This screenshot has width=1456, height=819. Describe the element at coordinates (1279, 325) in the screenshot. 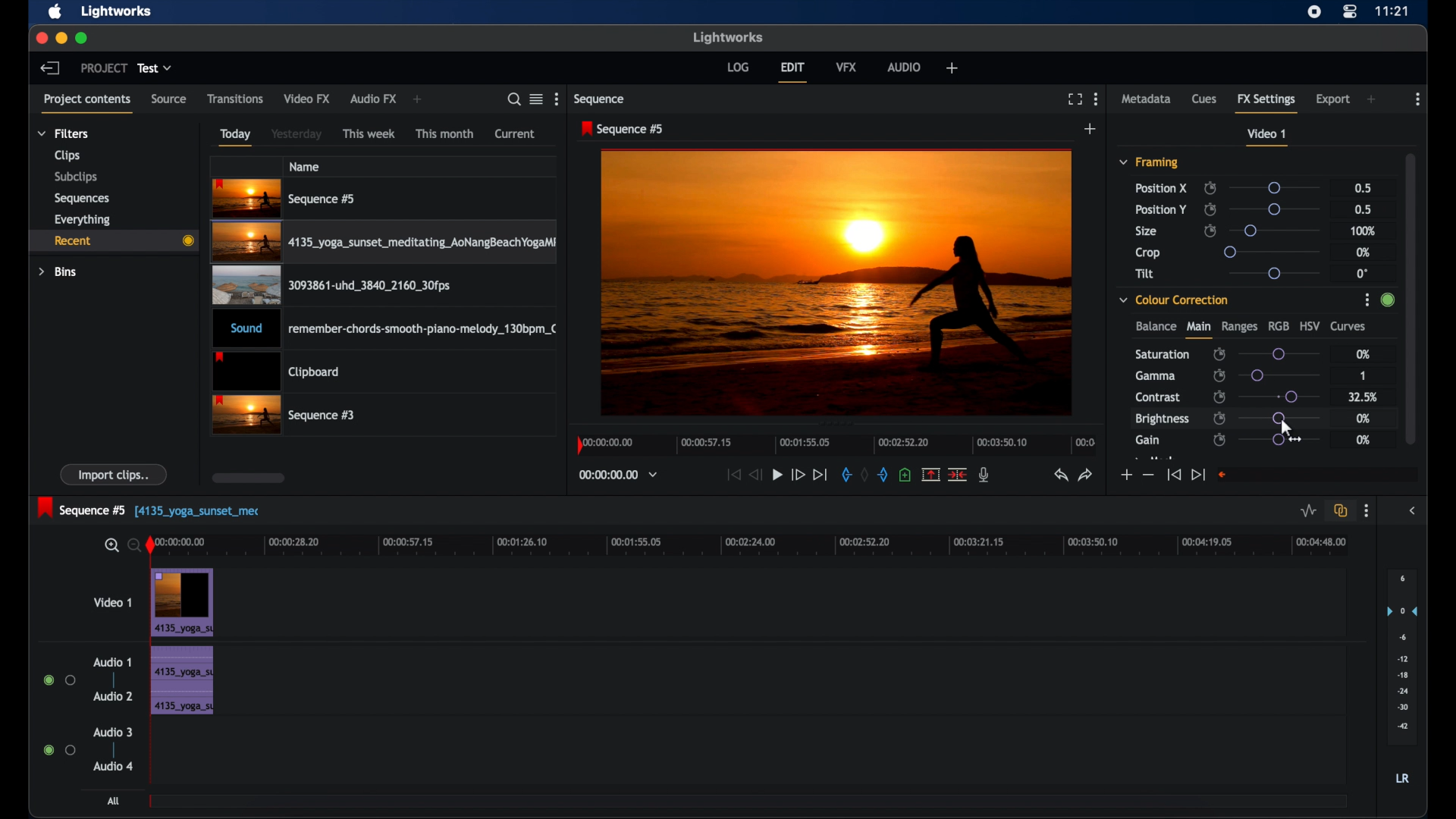

I see `rgb` at that location.